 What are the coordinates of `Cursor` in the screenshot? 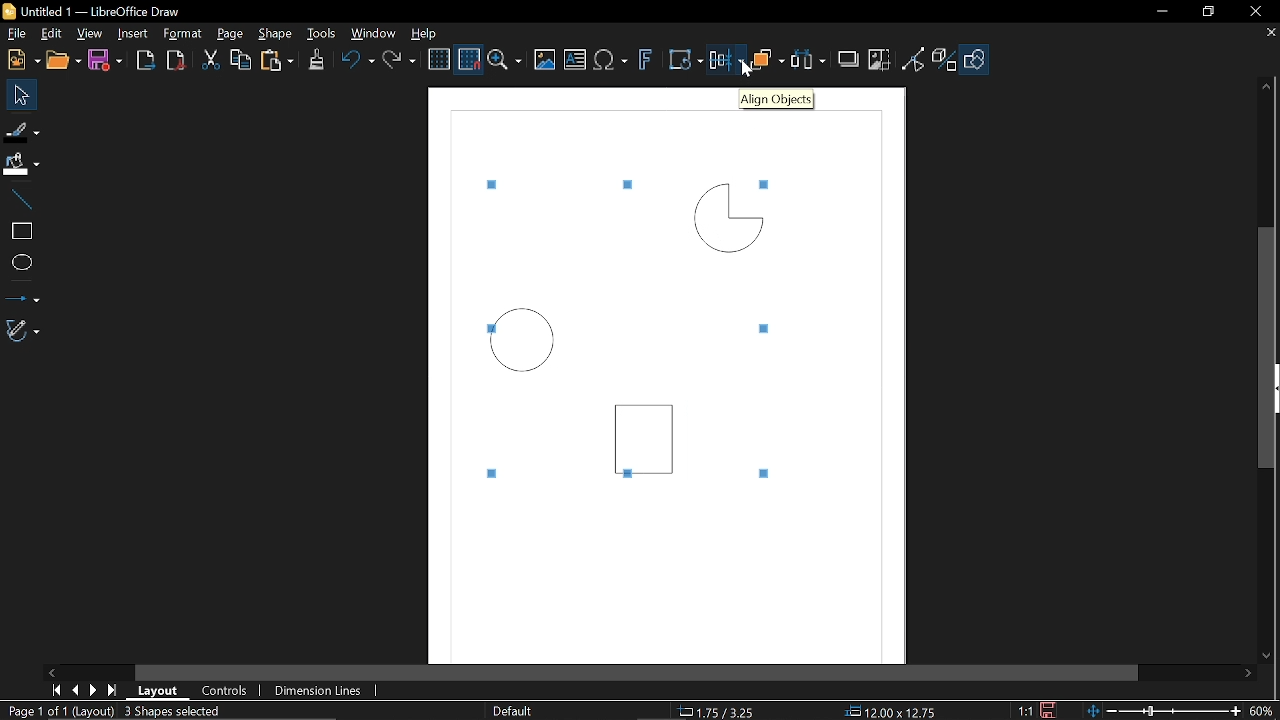 It's located at (742, 67).